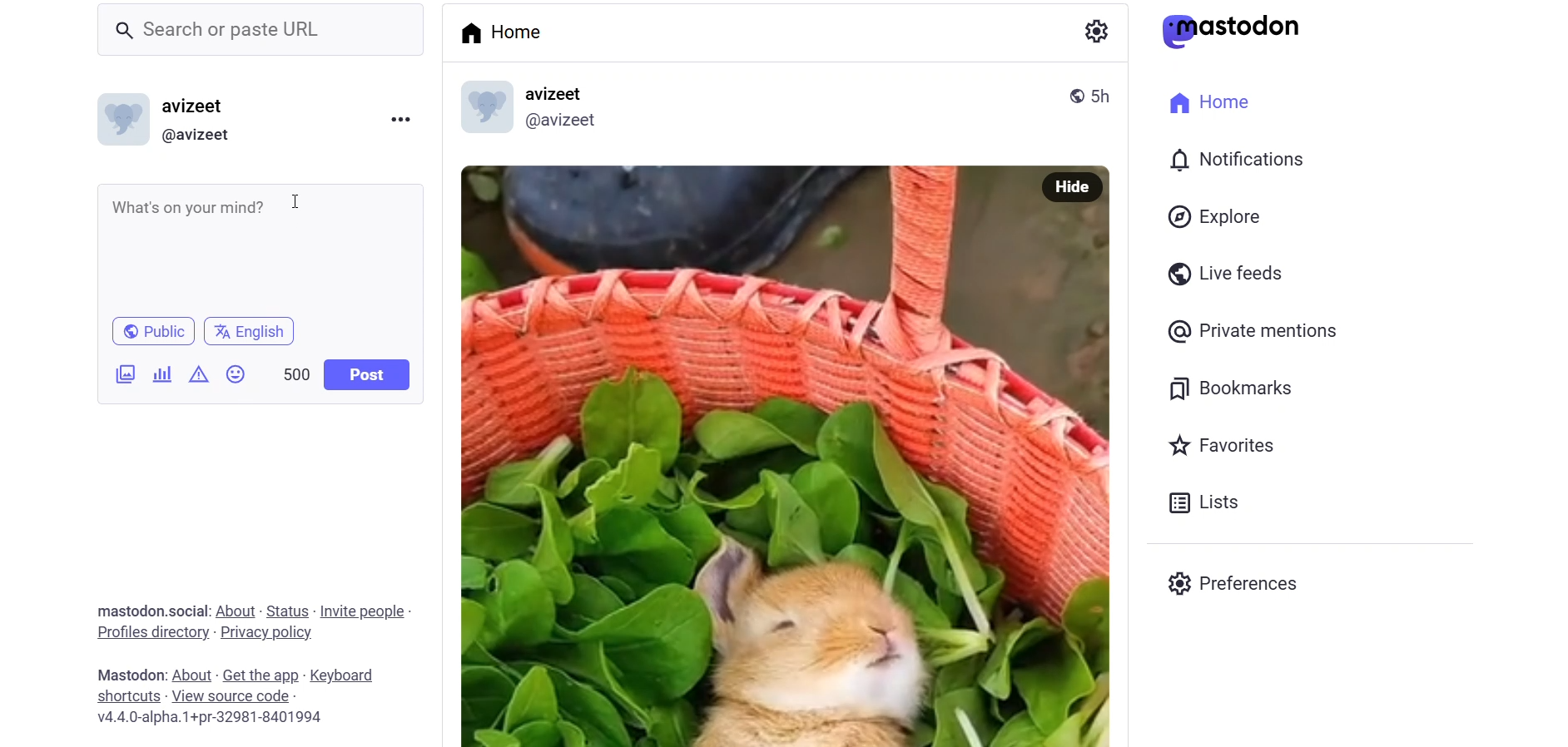 The width and height of the screenshot is (1568, 747). What do you see at coordinates (127, 374) in the screenshot?
I see `ijmages/videos` at bounding box center [127, 374].